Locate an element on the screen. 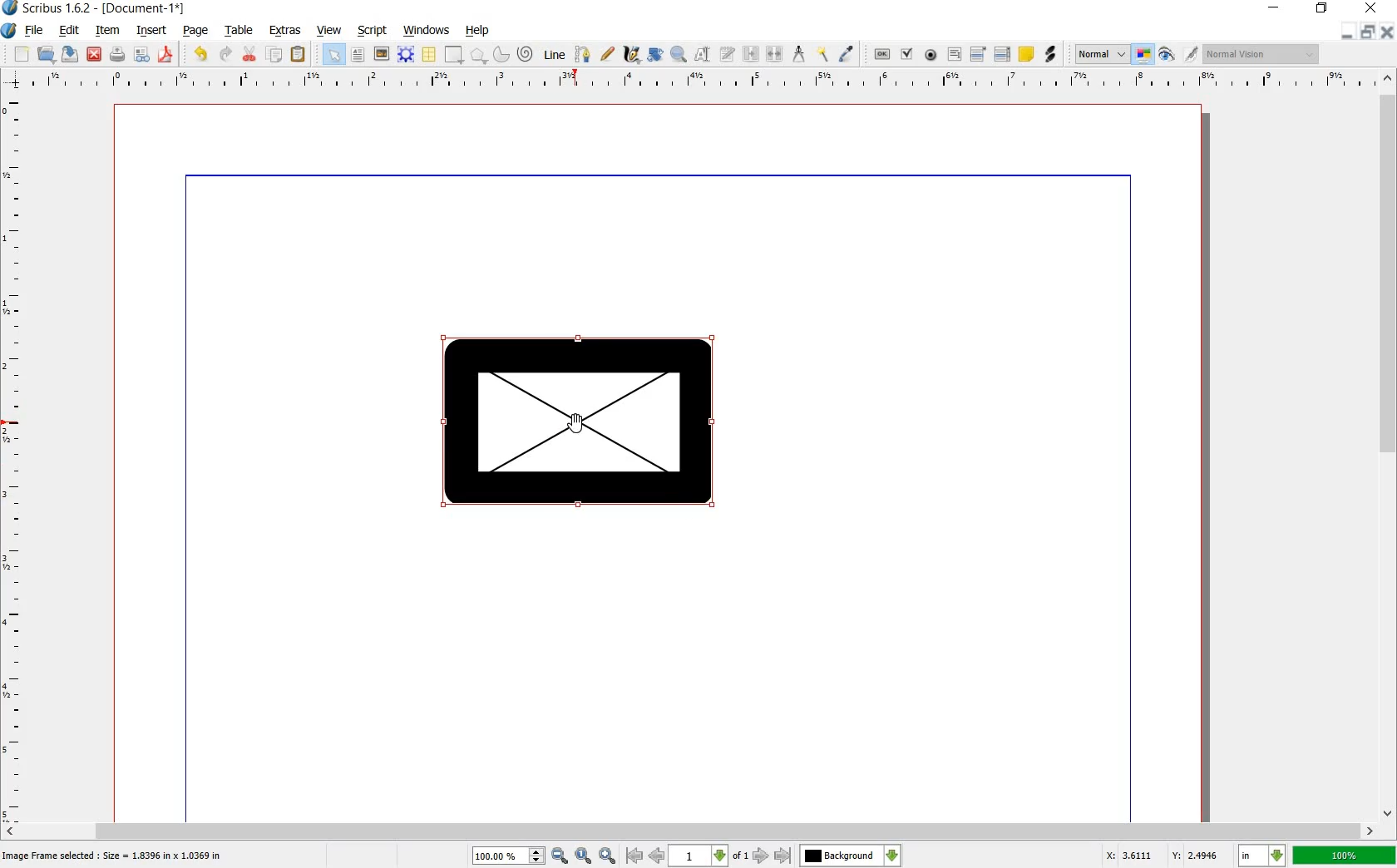 The image size is (1397, 868). Zoom to is located at coordinates (585, 855).